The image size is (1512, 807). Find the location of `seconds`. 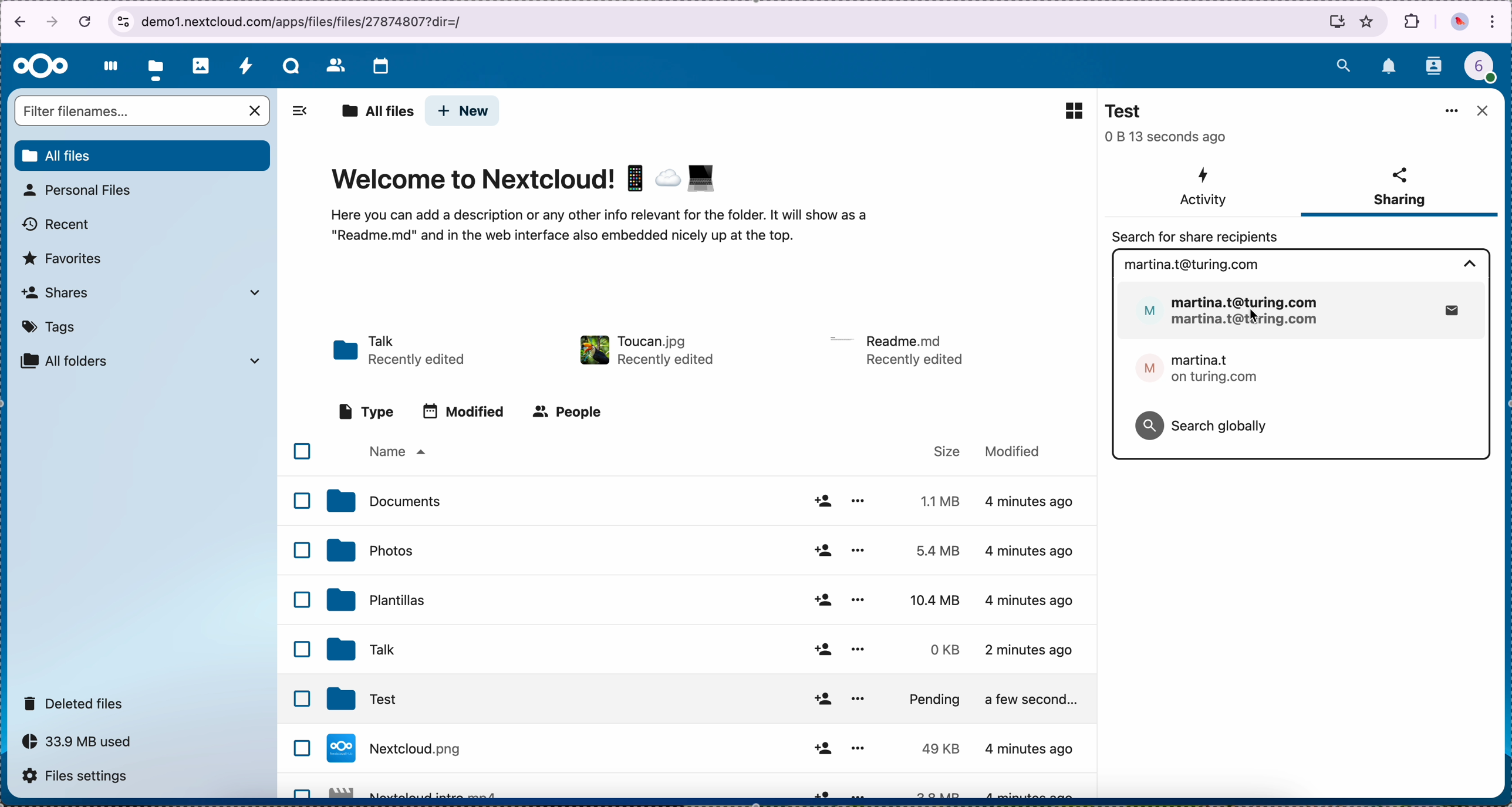

seconds is located at coordinates (1167, 137).